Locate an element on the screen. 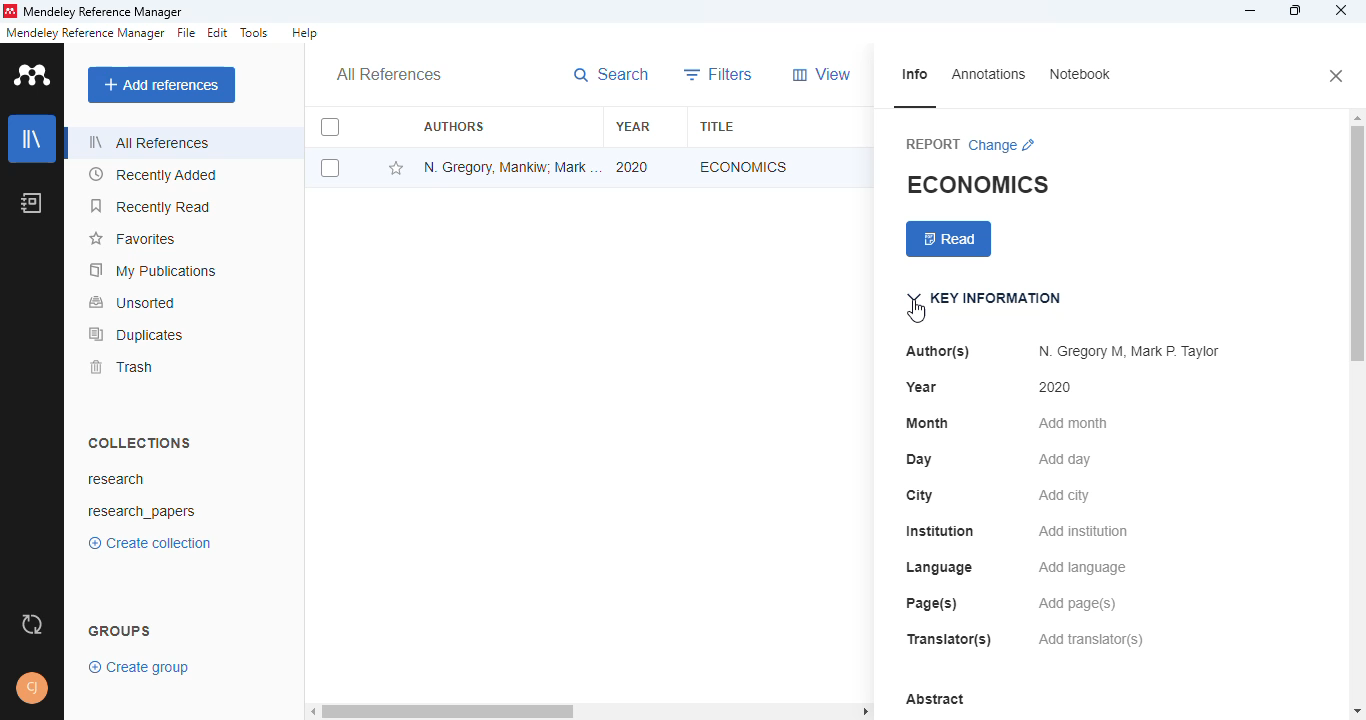 Image resolution: width=1366 pixels, height=720 pixels. report is located at coordinates (933, 145).